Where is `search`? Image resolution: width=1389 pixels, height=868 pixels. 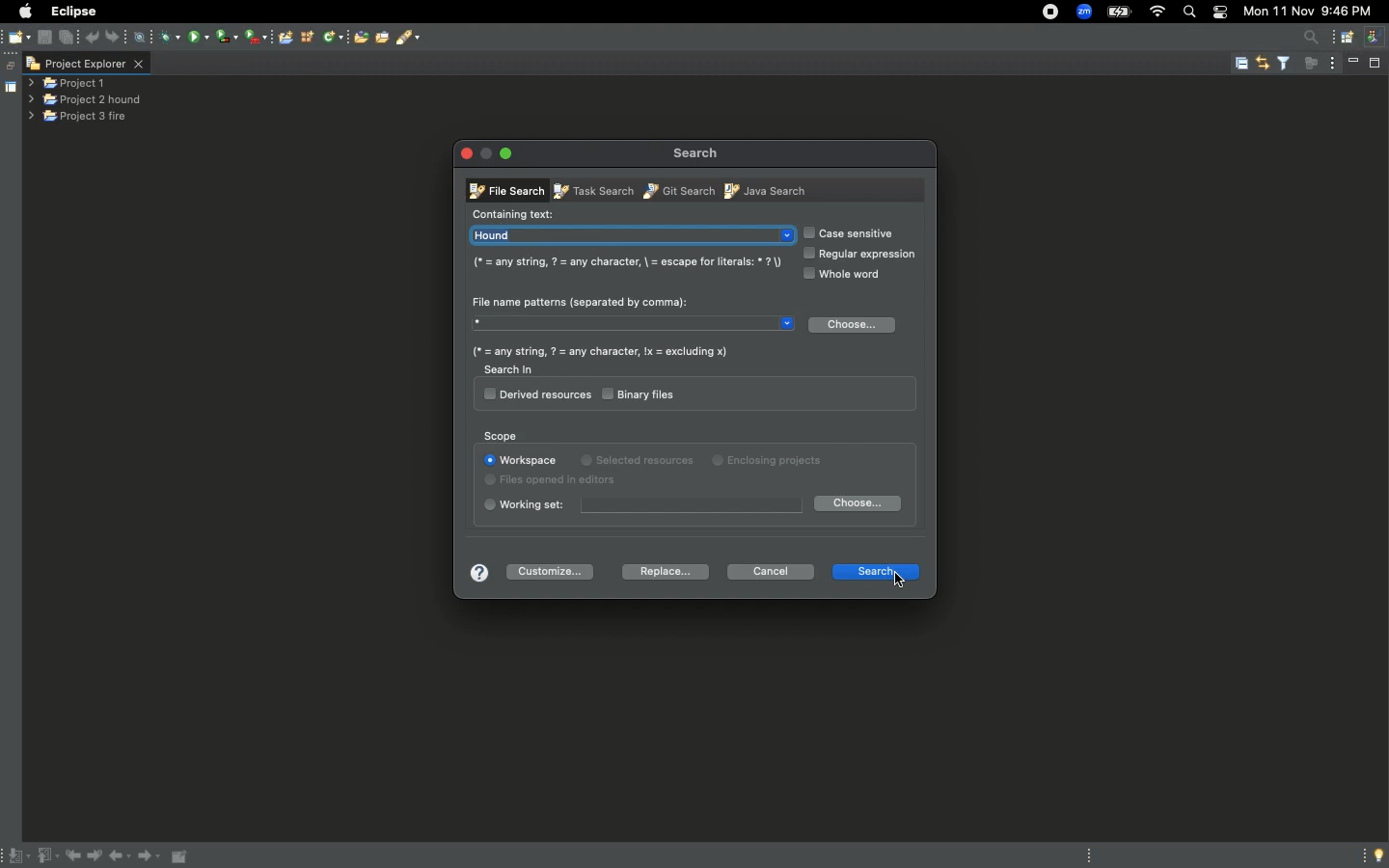
search is located at coordinates (1193, 12).